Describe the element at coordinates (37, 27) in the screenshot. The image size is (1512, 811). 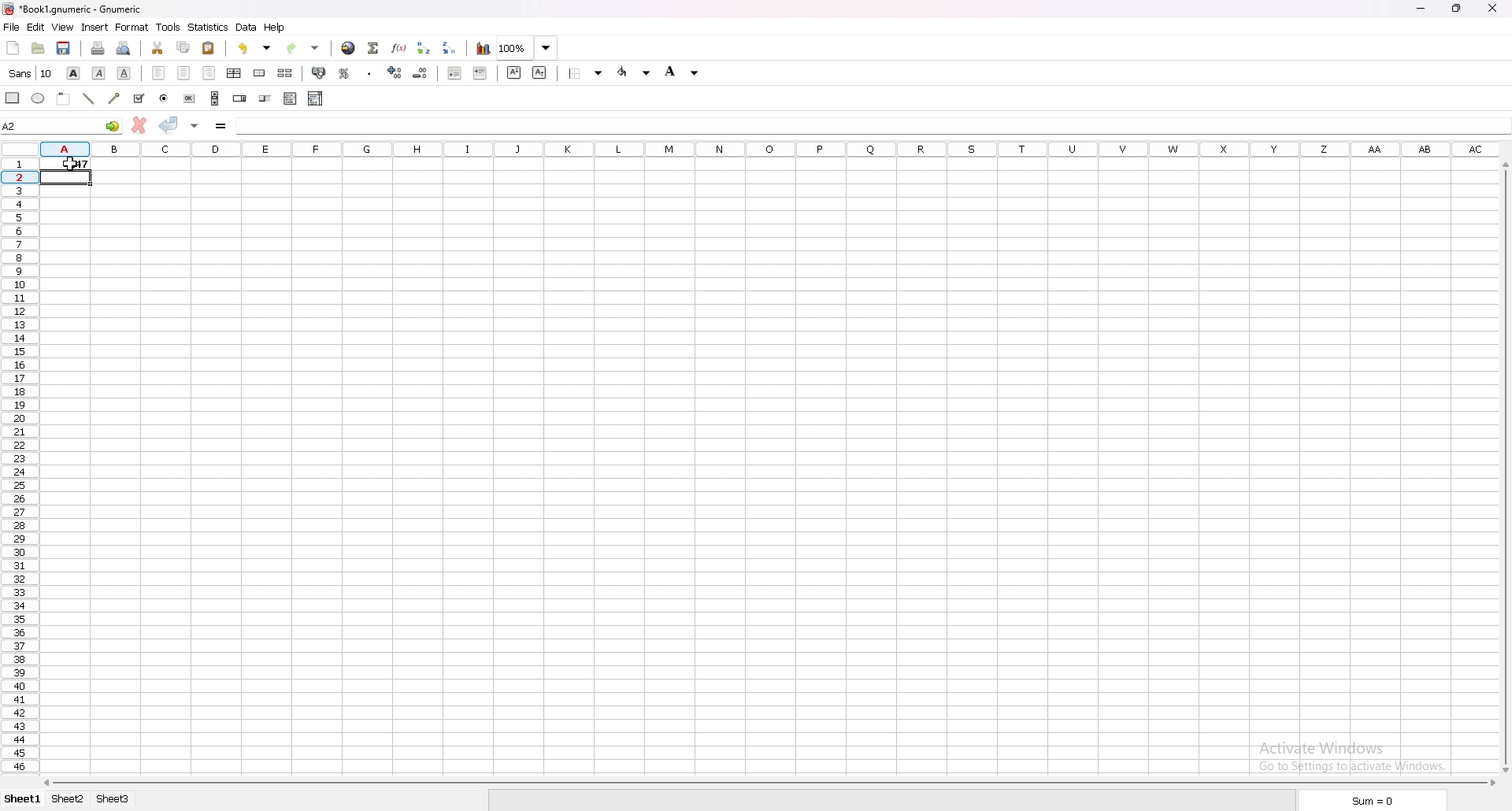
I see `edit` at that location.